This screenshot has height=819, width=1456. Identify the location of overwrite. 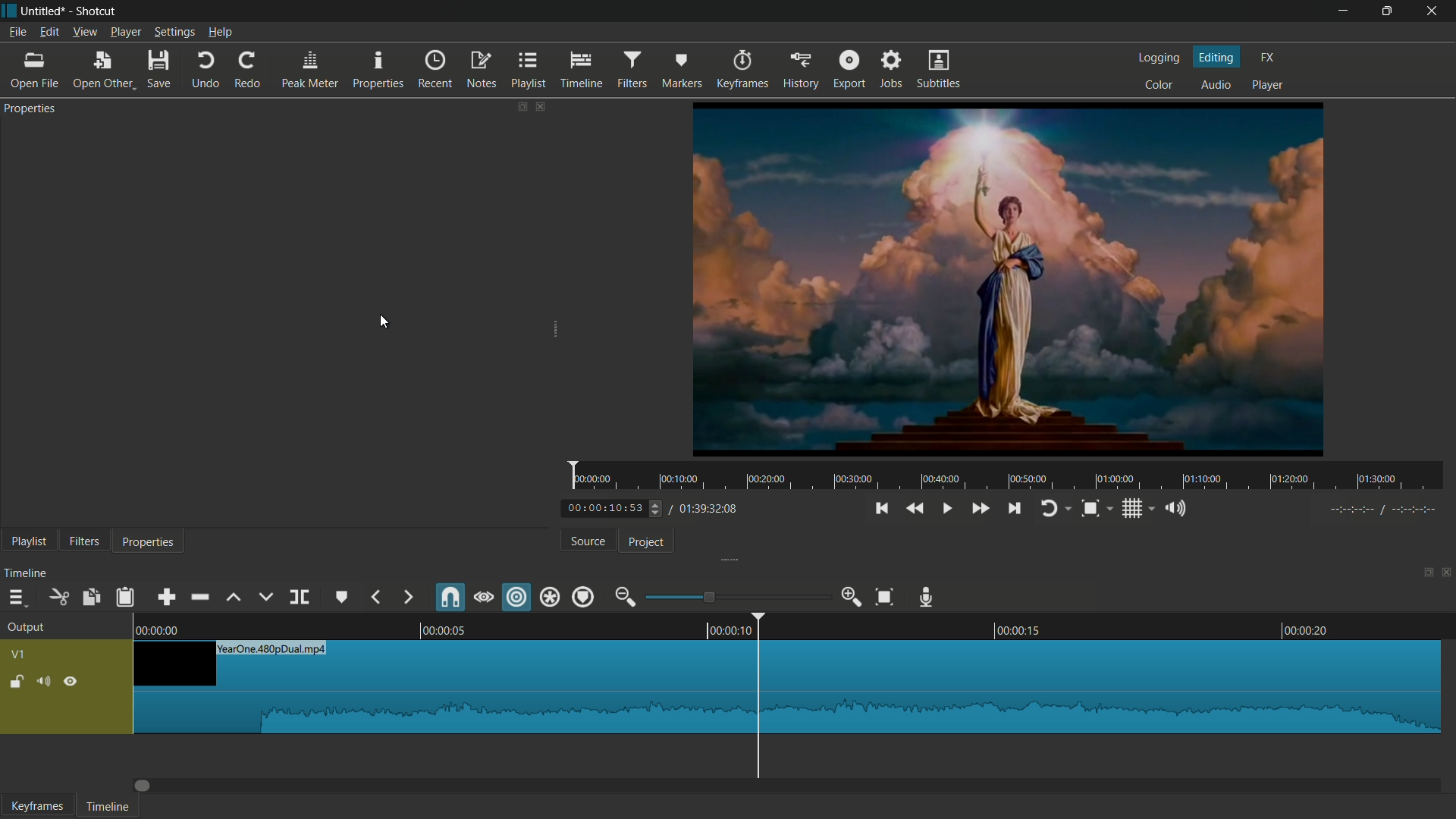
(265, 596).